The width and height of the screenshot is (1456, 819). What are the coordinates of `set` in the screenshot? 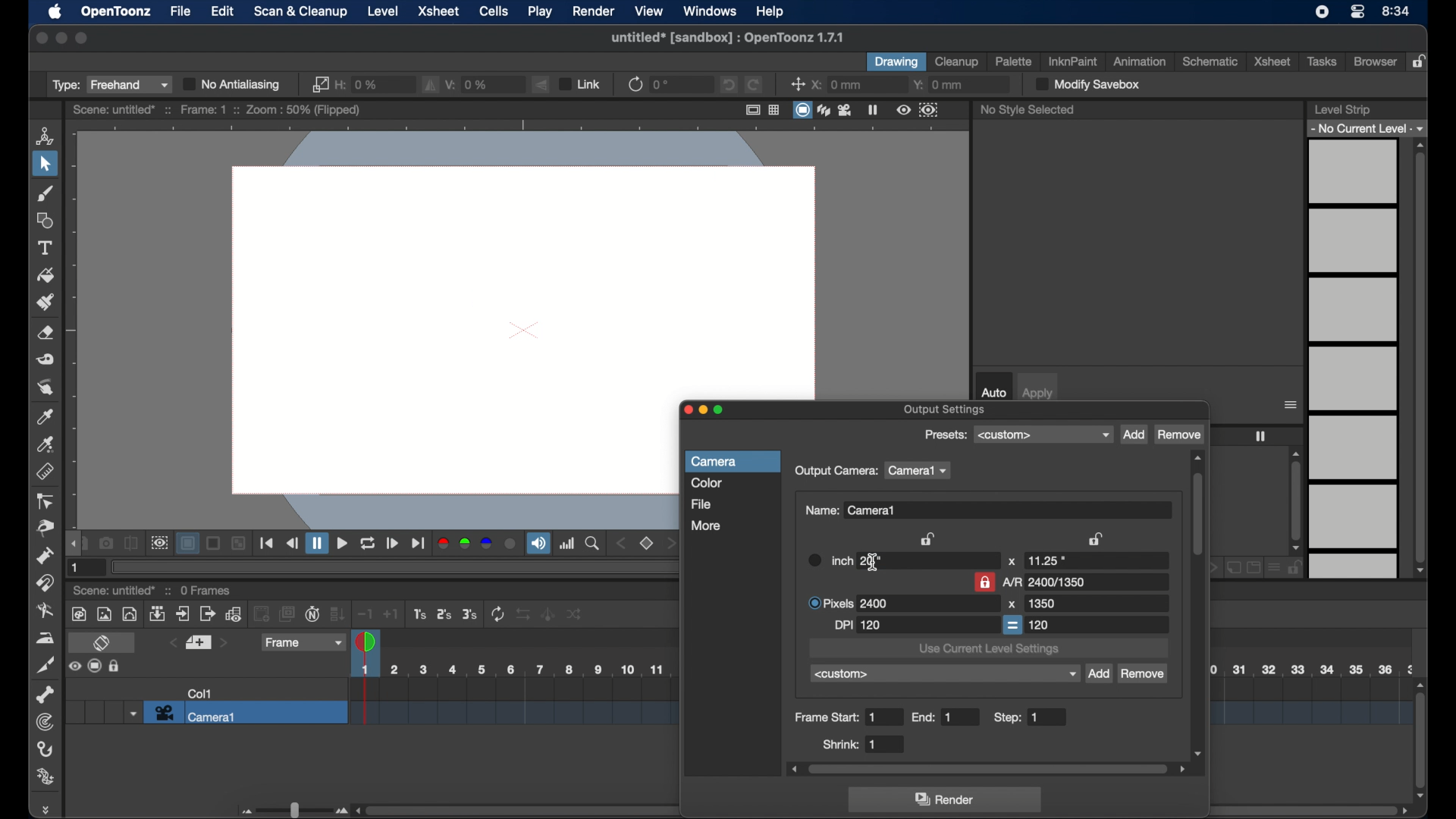 It's located at (648, 544).